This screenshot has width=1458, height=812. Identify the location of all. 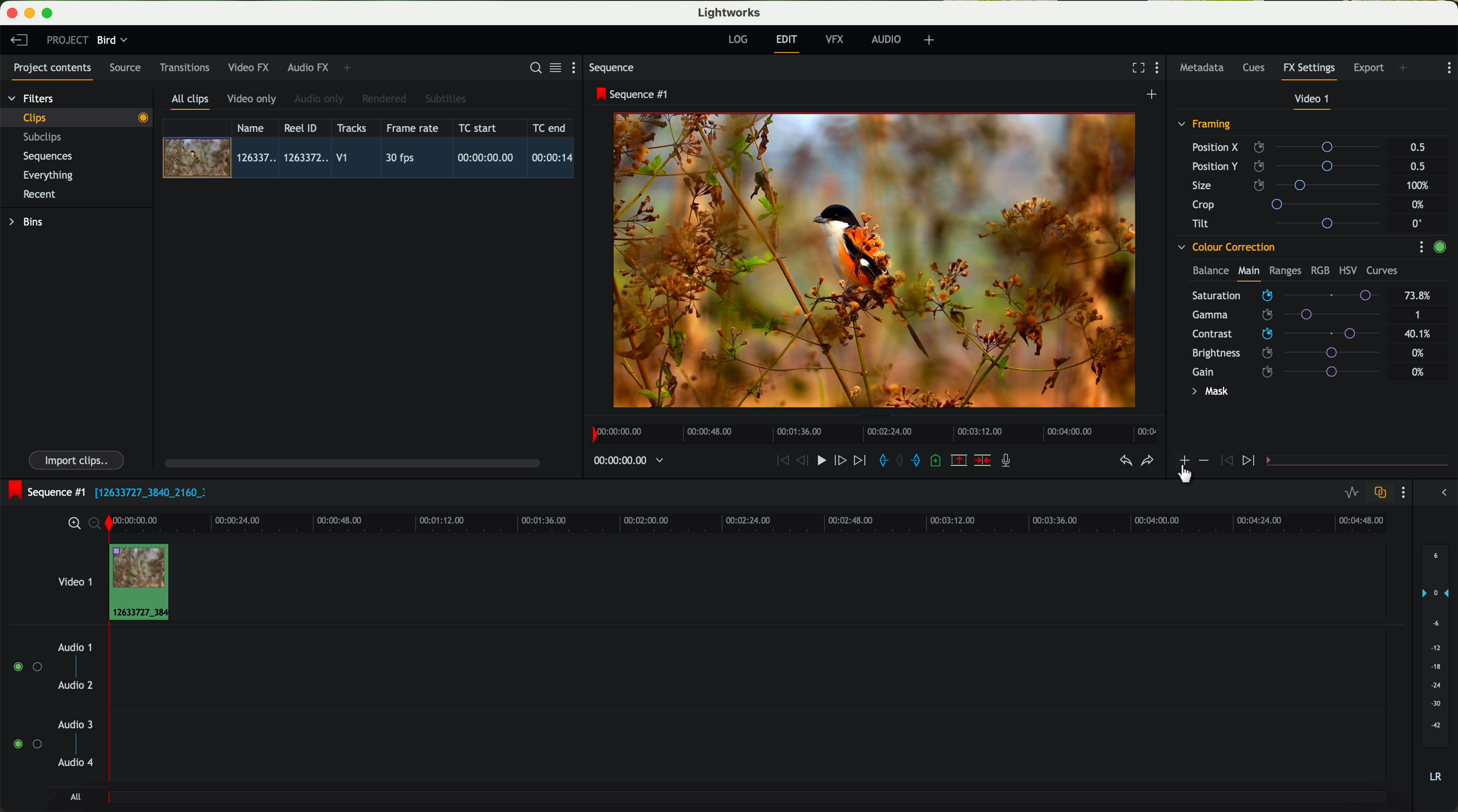
(75, 797).